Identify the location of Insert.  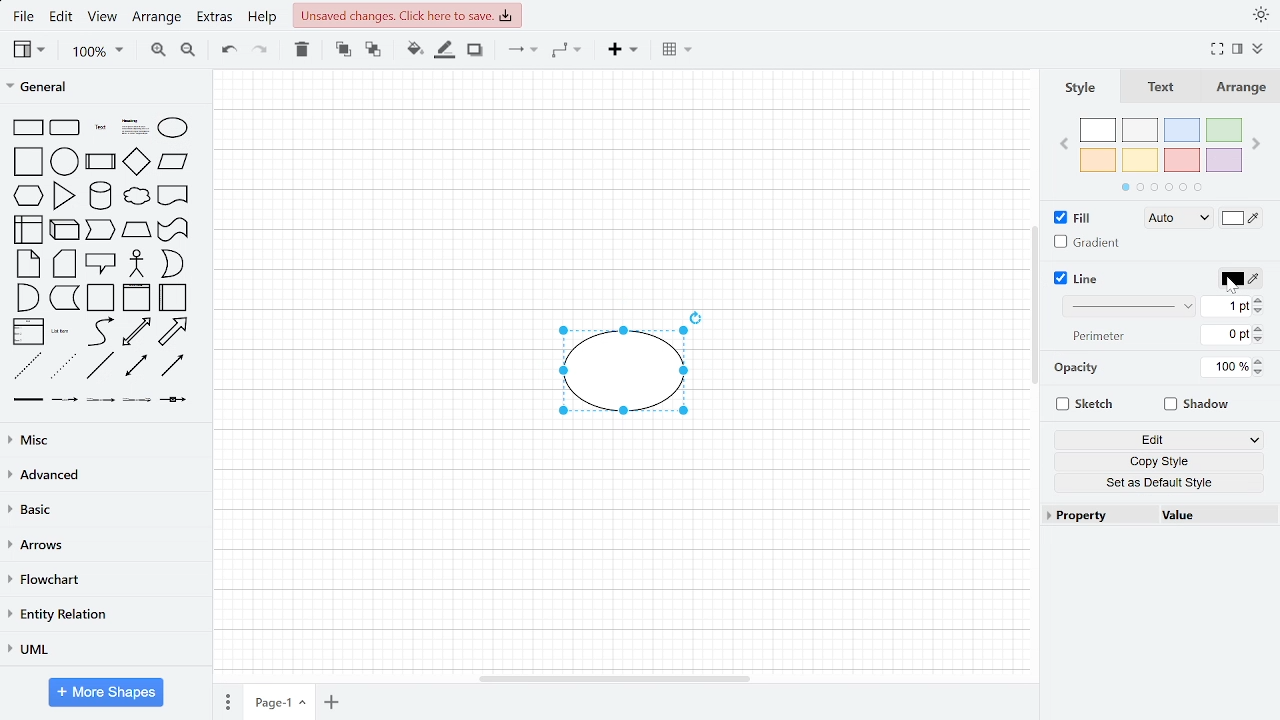
(625, 52).